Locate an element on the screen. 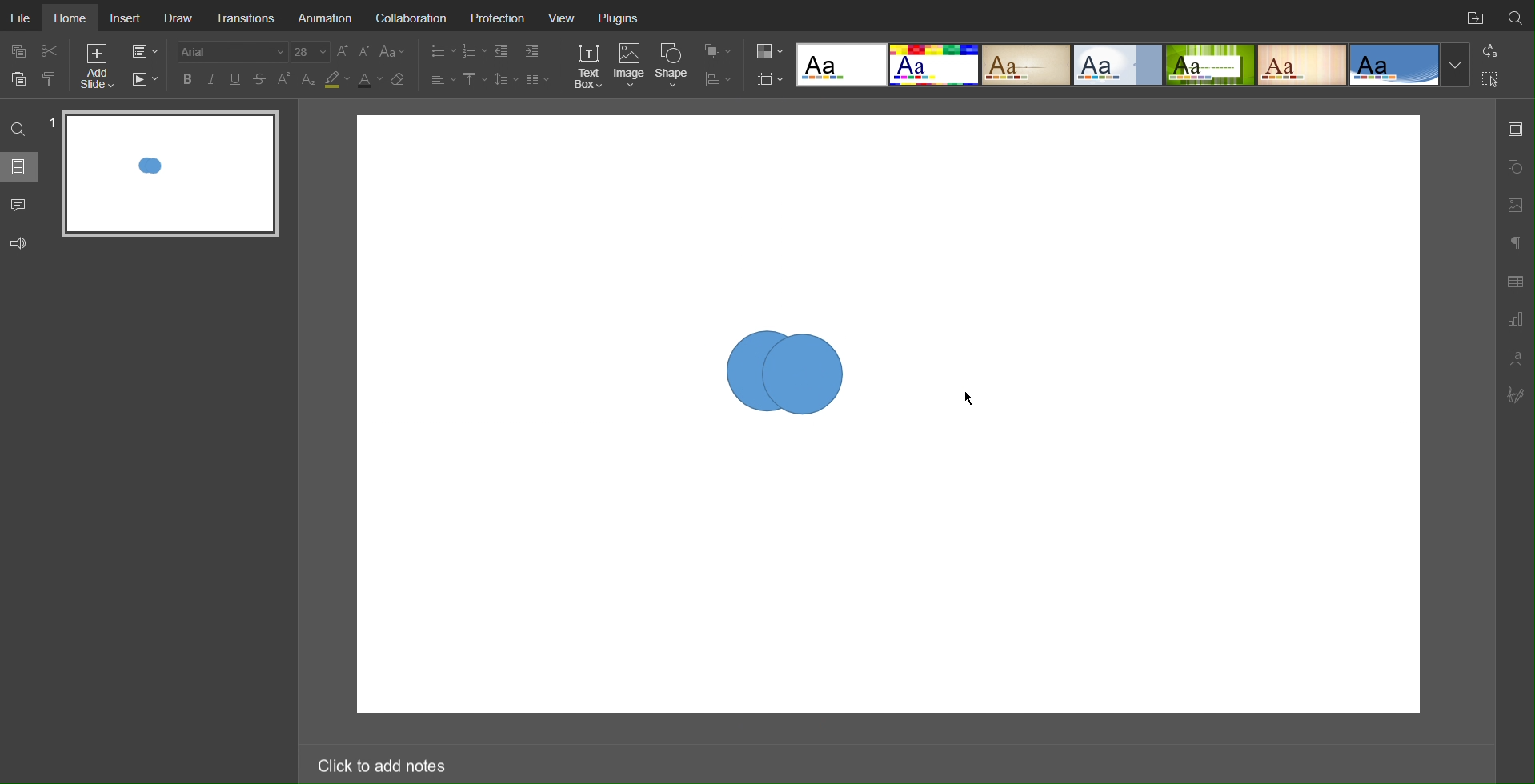  Venn diagram using two overlapping circles created is located at coordinates (788, 377).